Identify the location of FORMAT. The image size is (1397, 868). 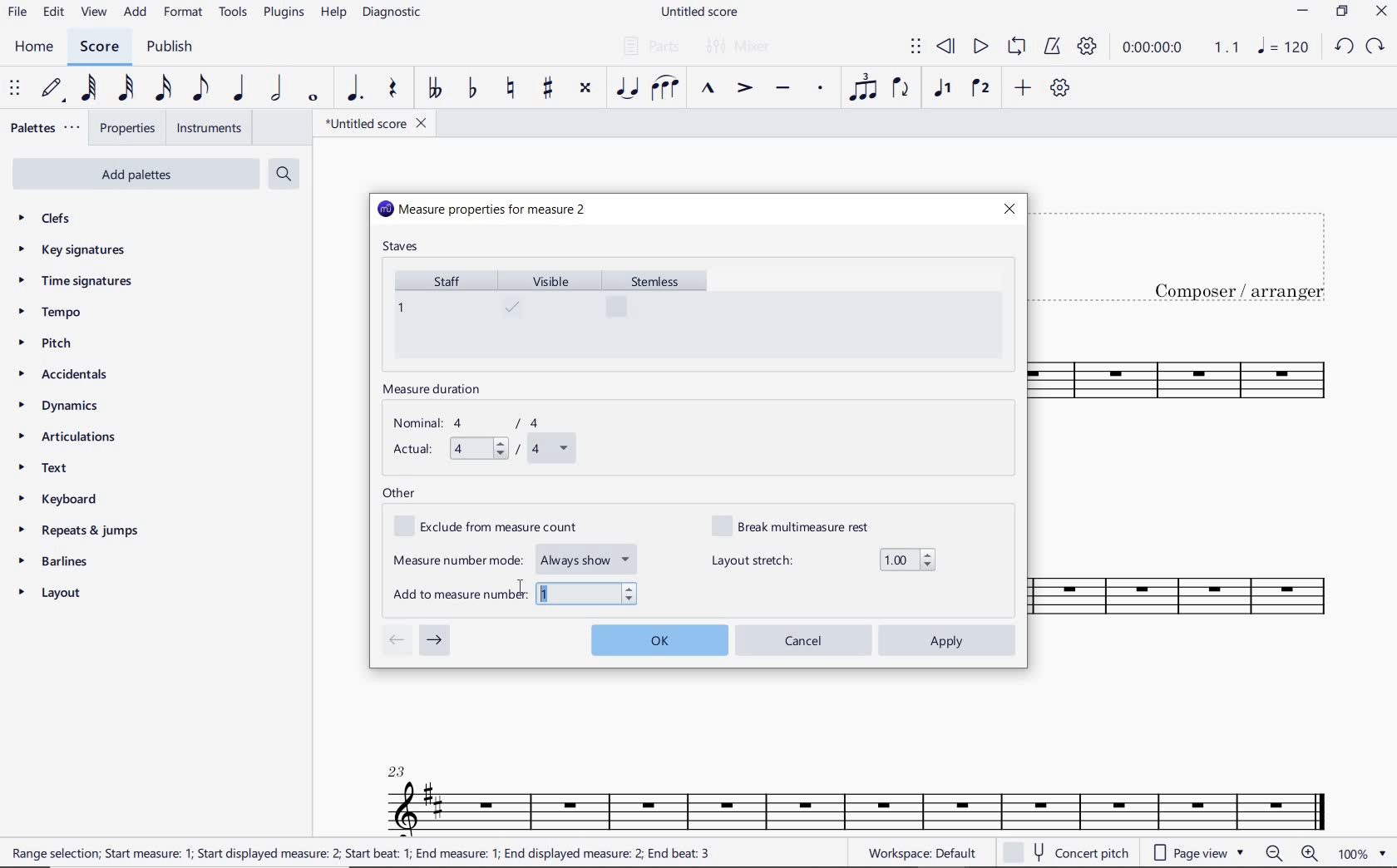
(185, 13).